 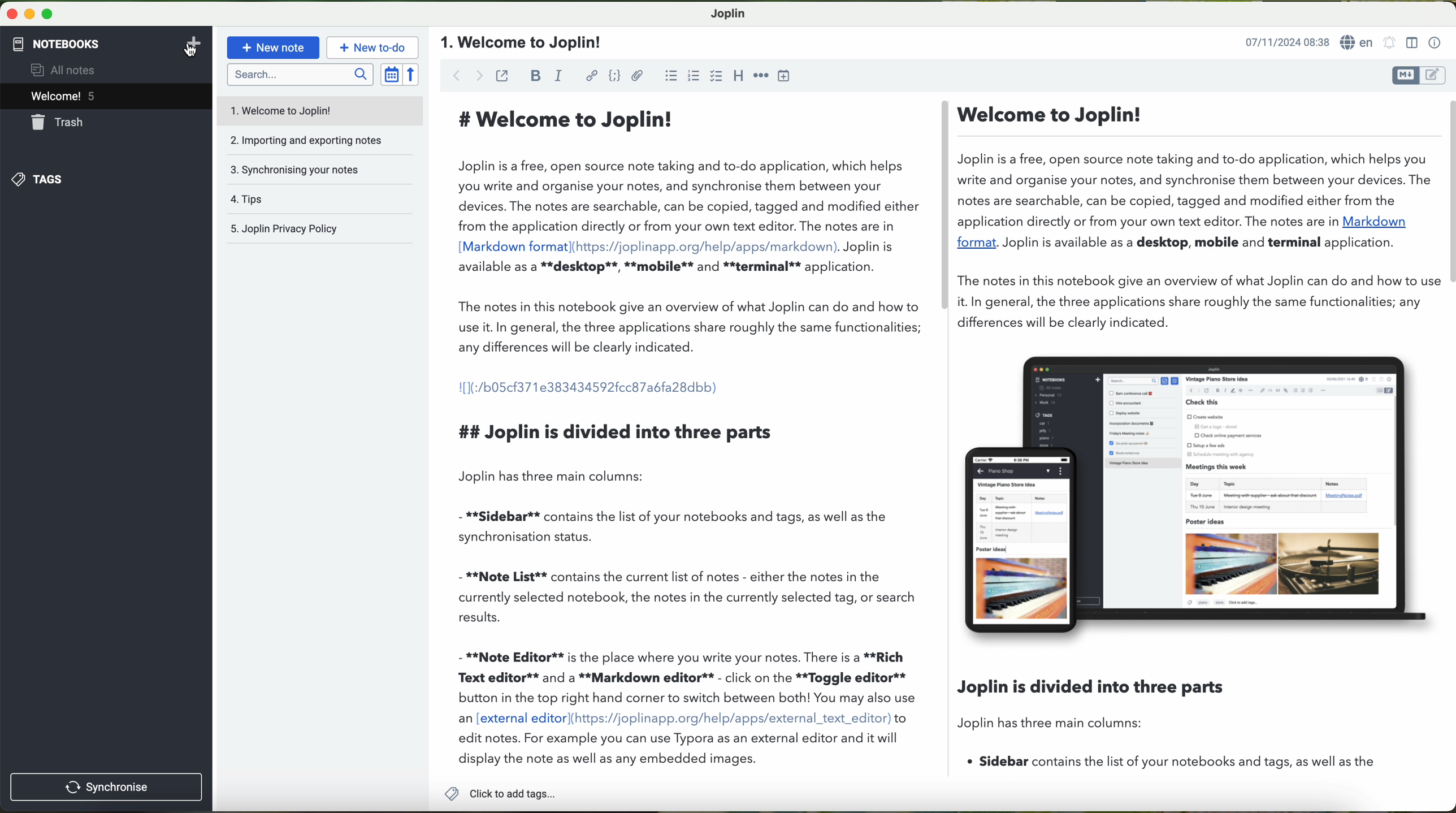 I want to click on italic, so click(x=559, y=76).